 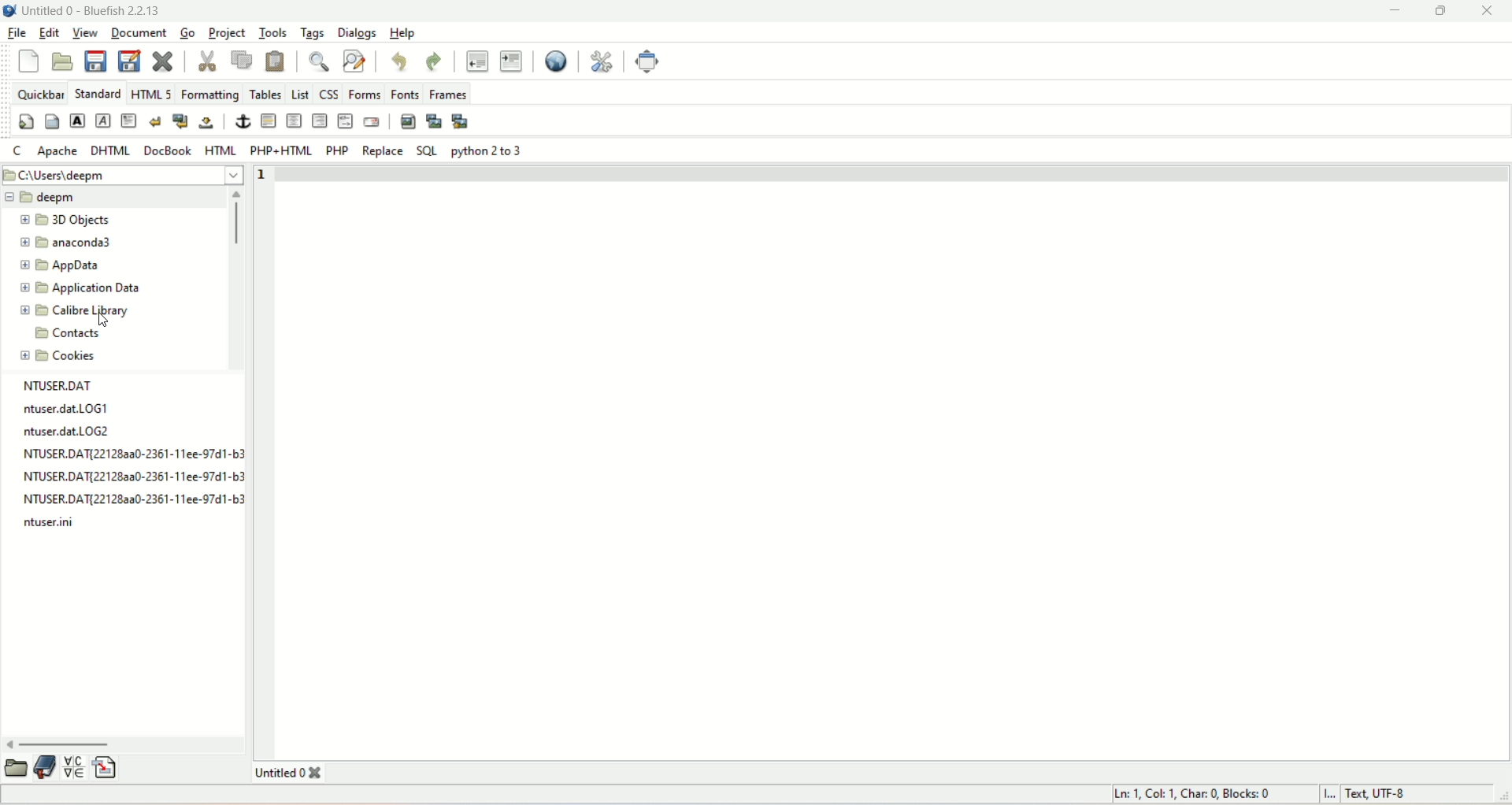 I want to click on deepm, so click(x=110, y=198).